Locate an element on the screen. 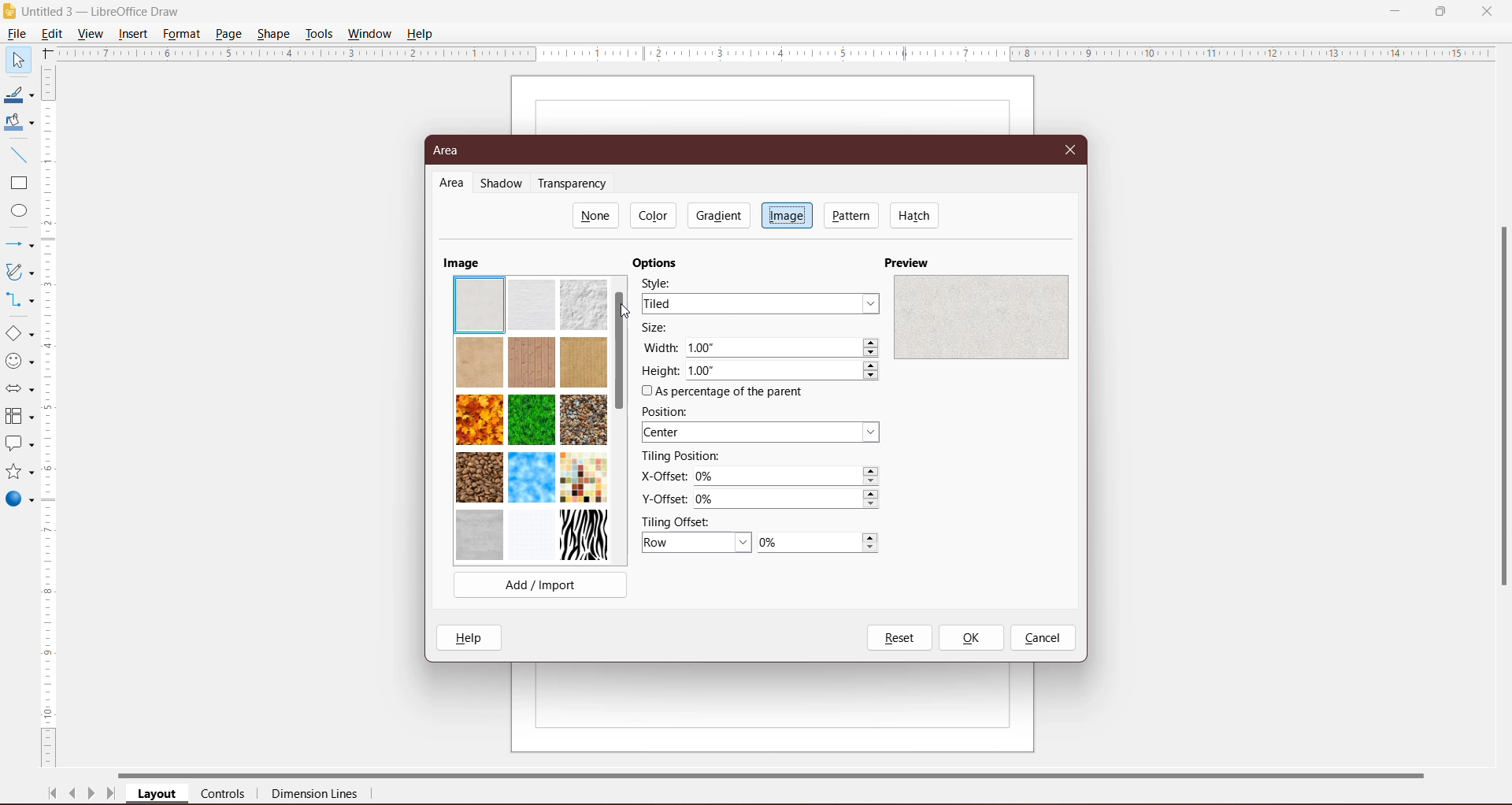 The width and height of the screenshot is (1512, 805). Close is located at coordinates (1487, 10).